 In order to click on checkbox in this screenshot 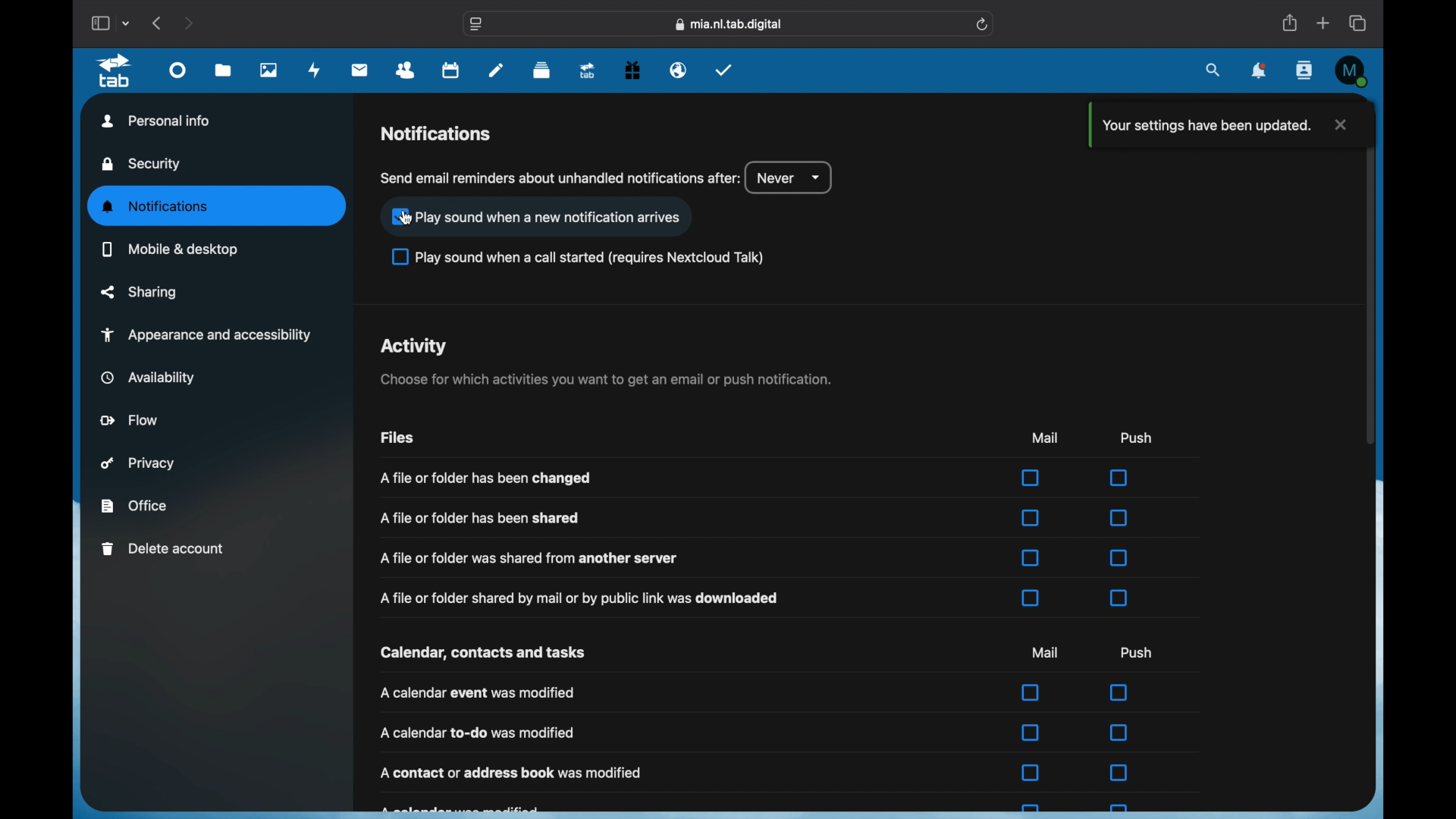, I will do `click(1031, 692)`.